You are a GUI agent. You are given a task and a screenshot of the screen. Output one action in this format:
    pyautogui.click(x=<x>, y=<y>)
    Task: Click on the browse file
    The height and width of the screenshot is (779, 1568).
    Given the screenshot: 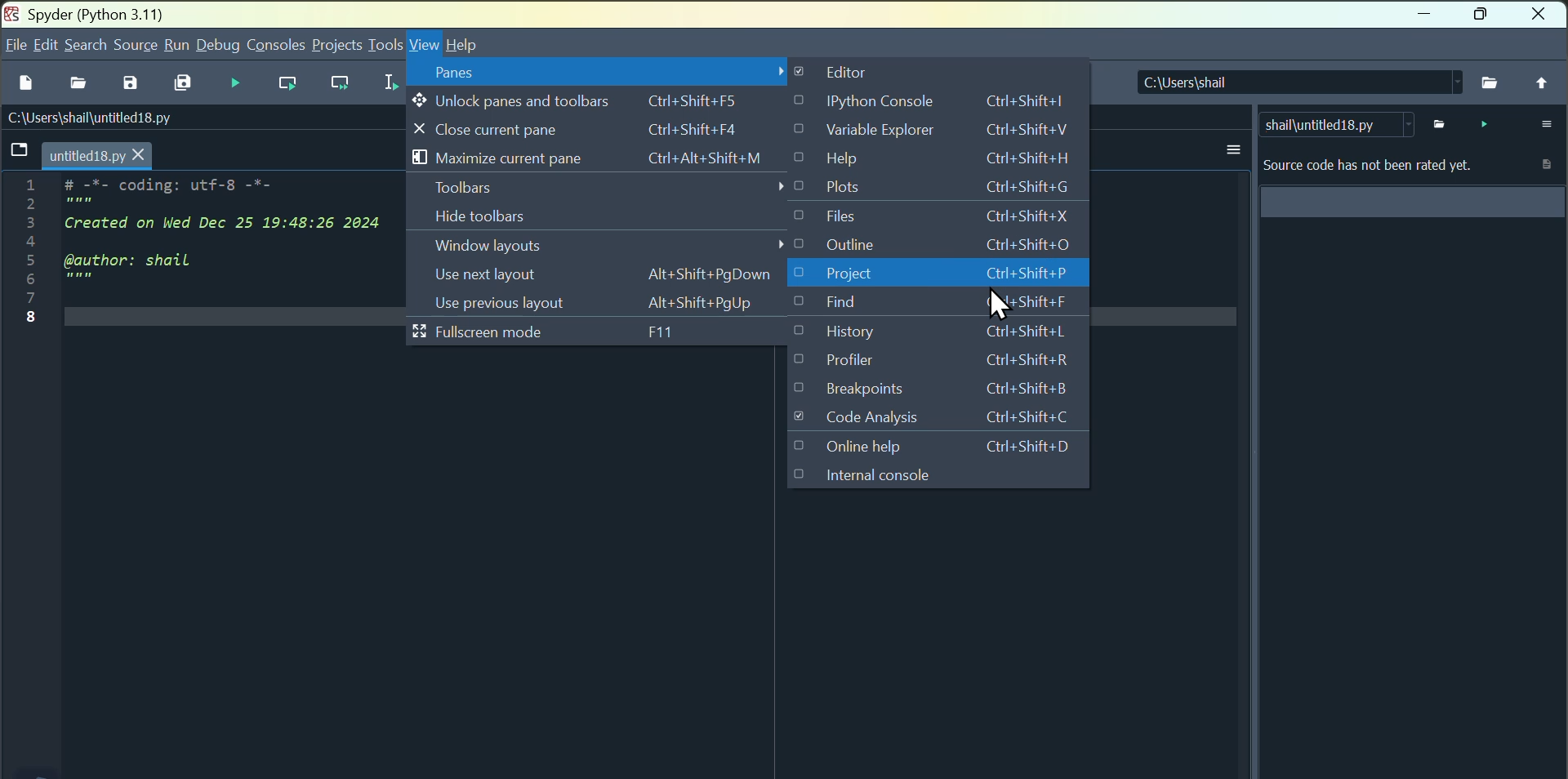 What is the action you would take?
    pyautogui.click(x=1490, y=81)
    